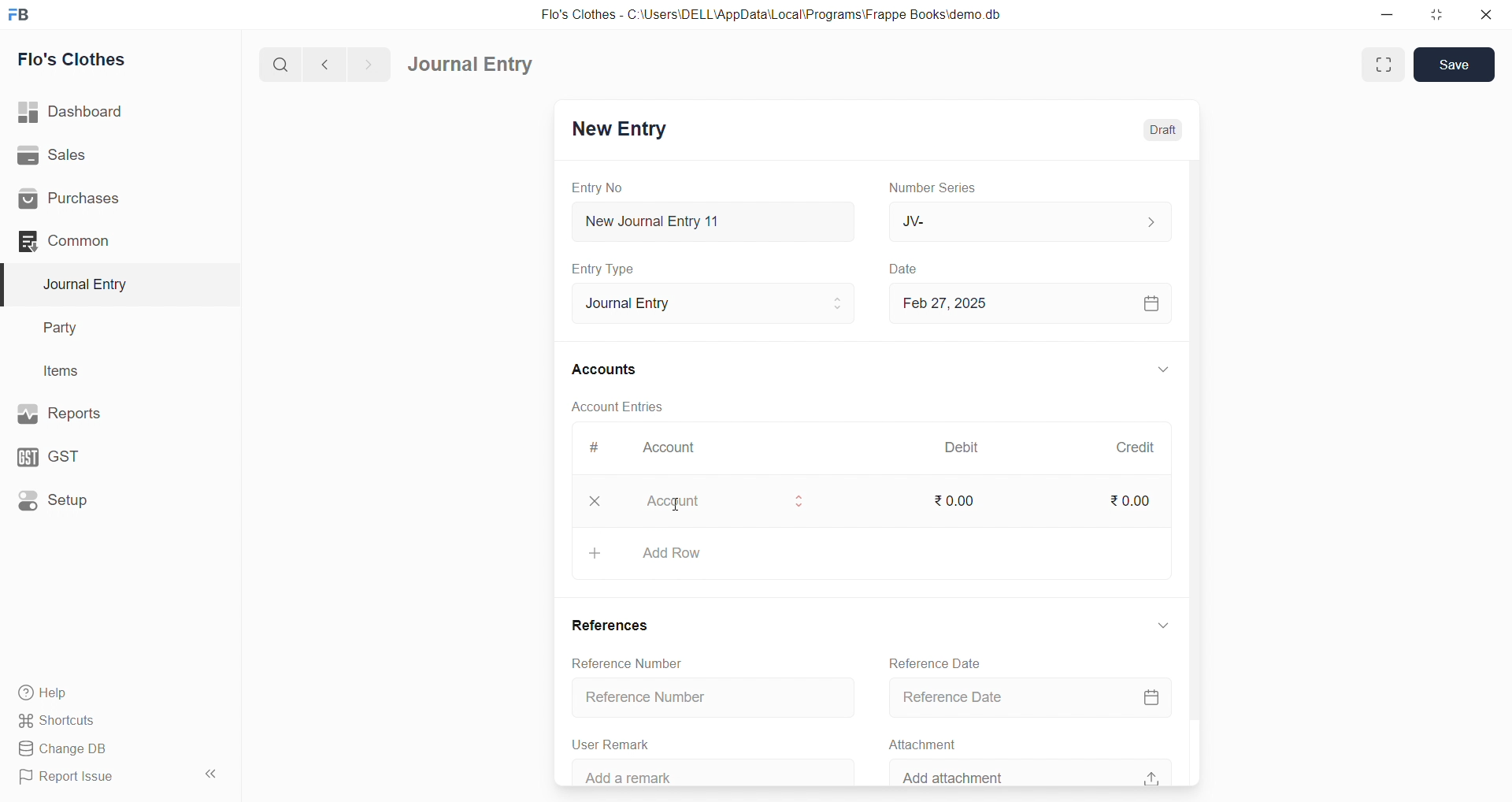 The image size is (1512, 802). Describe the element at coordinates (605, 370) in the screenshot. I see `Accounts` at that location.